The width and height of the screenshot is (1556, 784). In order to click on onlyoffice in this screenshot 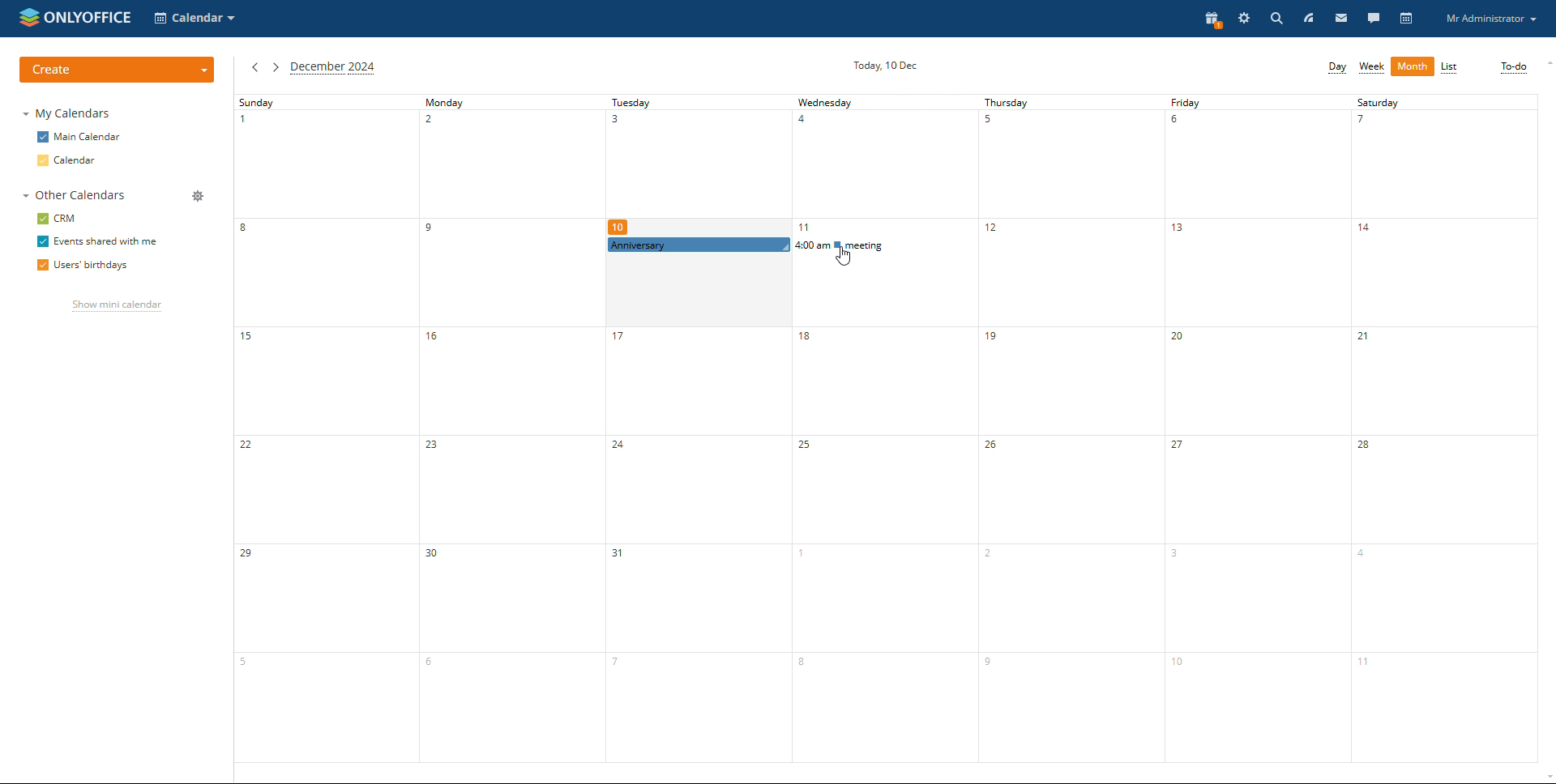, I will do `click(87, 19)`.